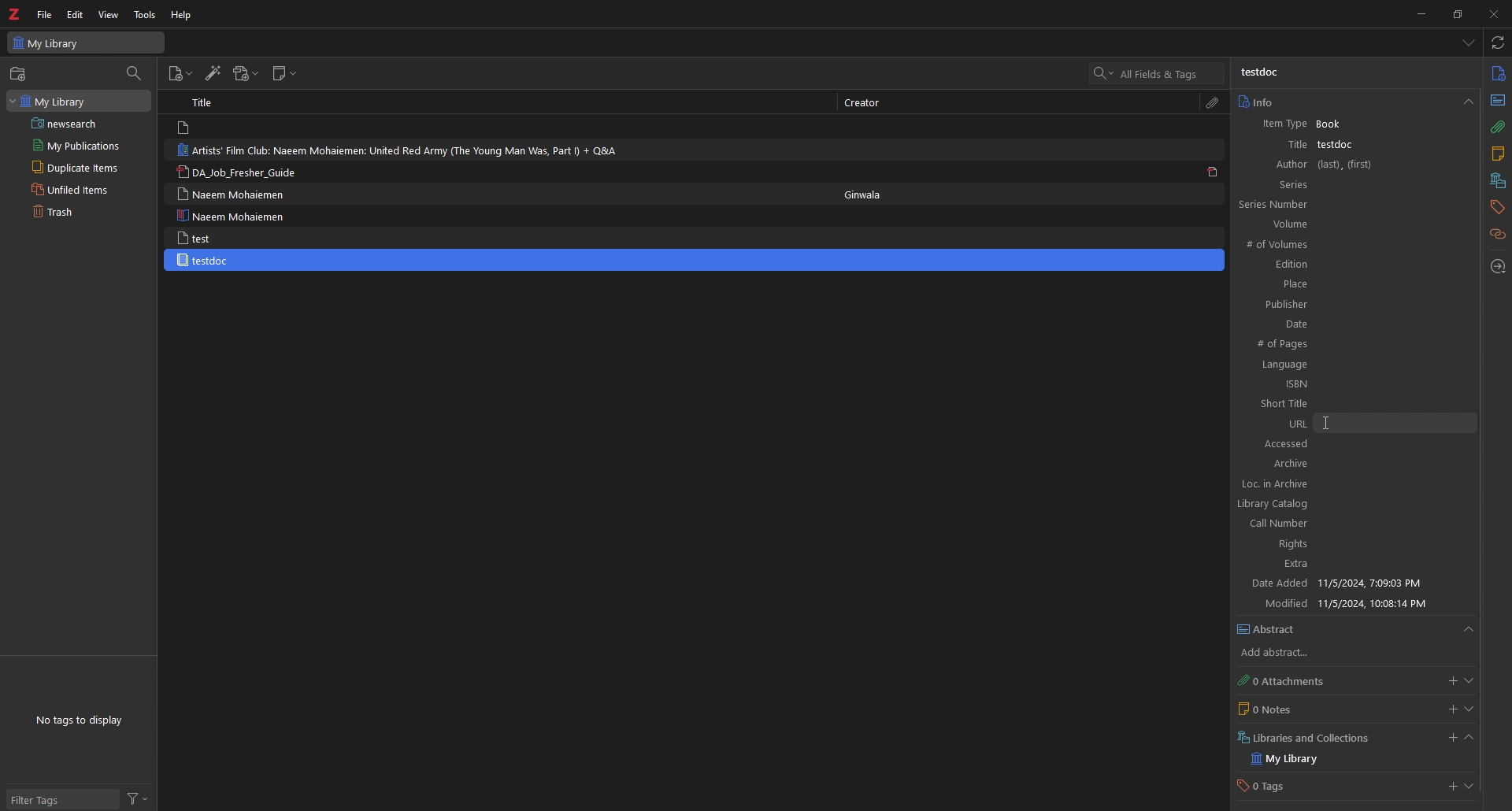  What do you see at coordinates (79, 101) in the screenshot?
I see `my library` at bounding box center [79, 101].